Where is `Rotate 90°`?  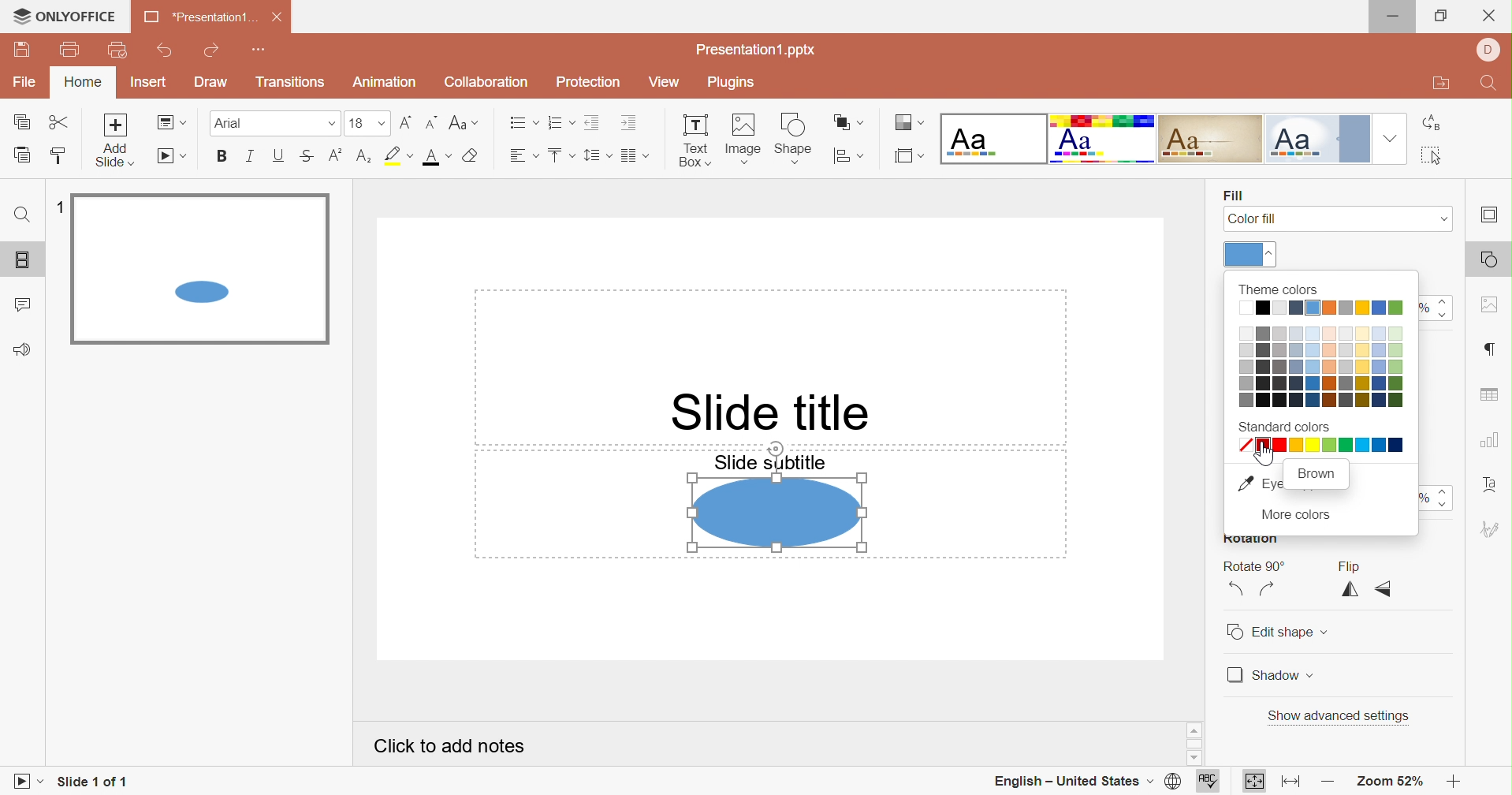 Rotate 90° is located at coordinates (1254, 565).